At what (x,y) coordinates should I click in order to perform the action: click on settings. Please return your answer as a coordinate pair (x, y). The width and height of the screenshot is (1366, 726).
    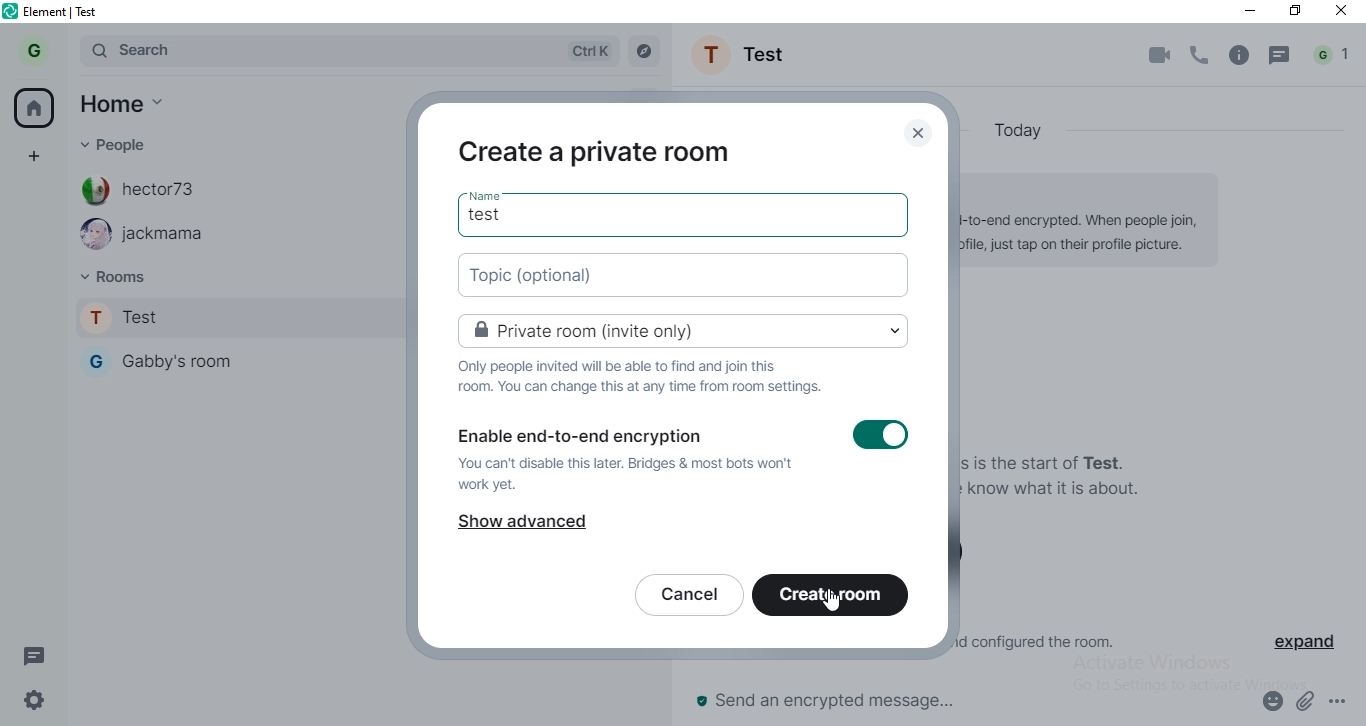
    Looking at the image, I should click on (34, 699).